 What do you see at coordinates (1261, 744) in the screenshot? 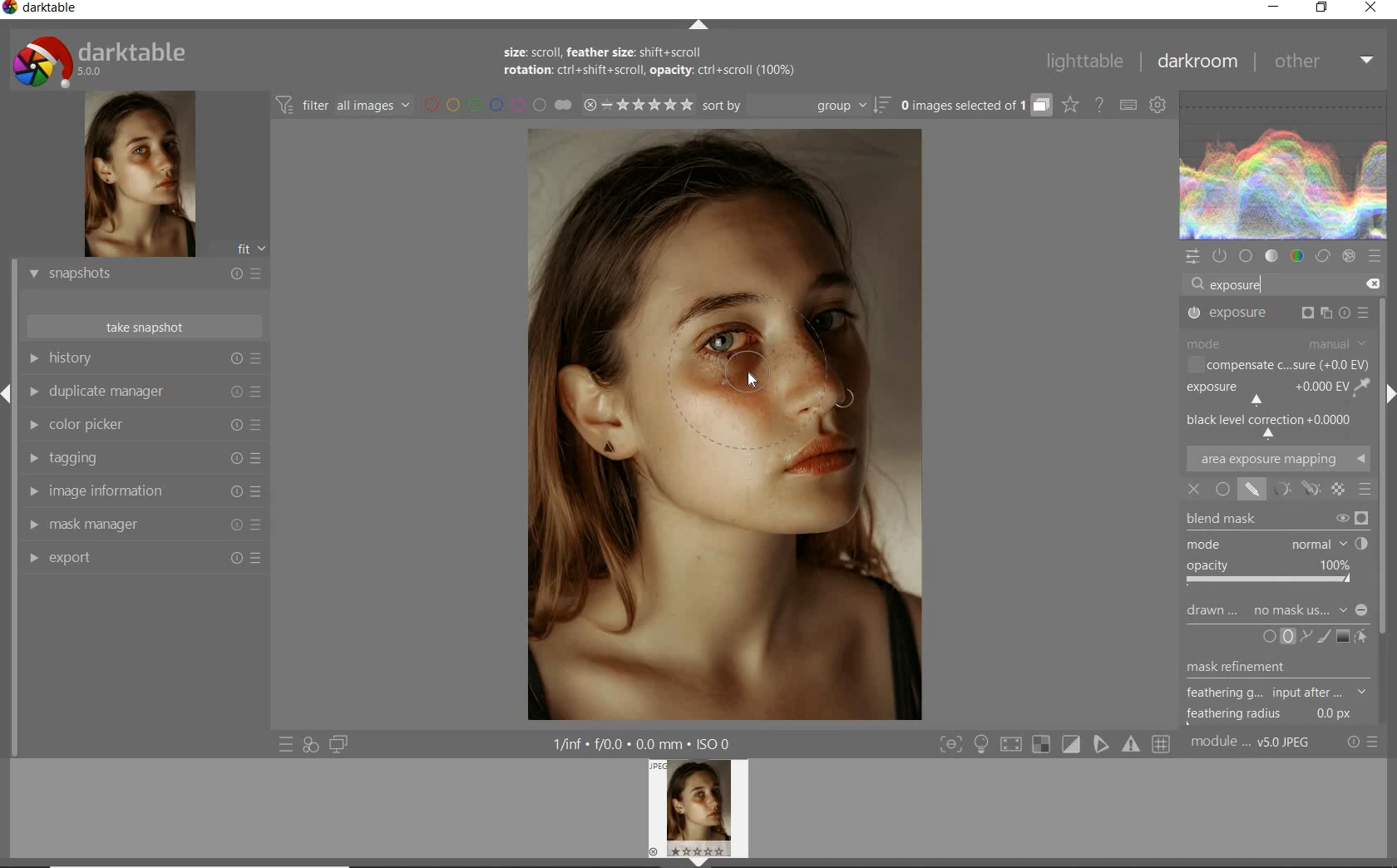
I see `module....V5.0jpeg` at bounding box center [1261, 744].